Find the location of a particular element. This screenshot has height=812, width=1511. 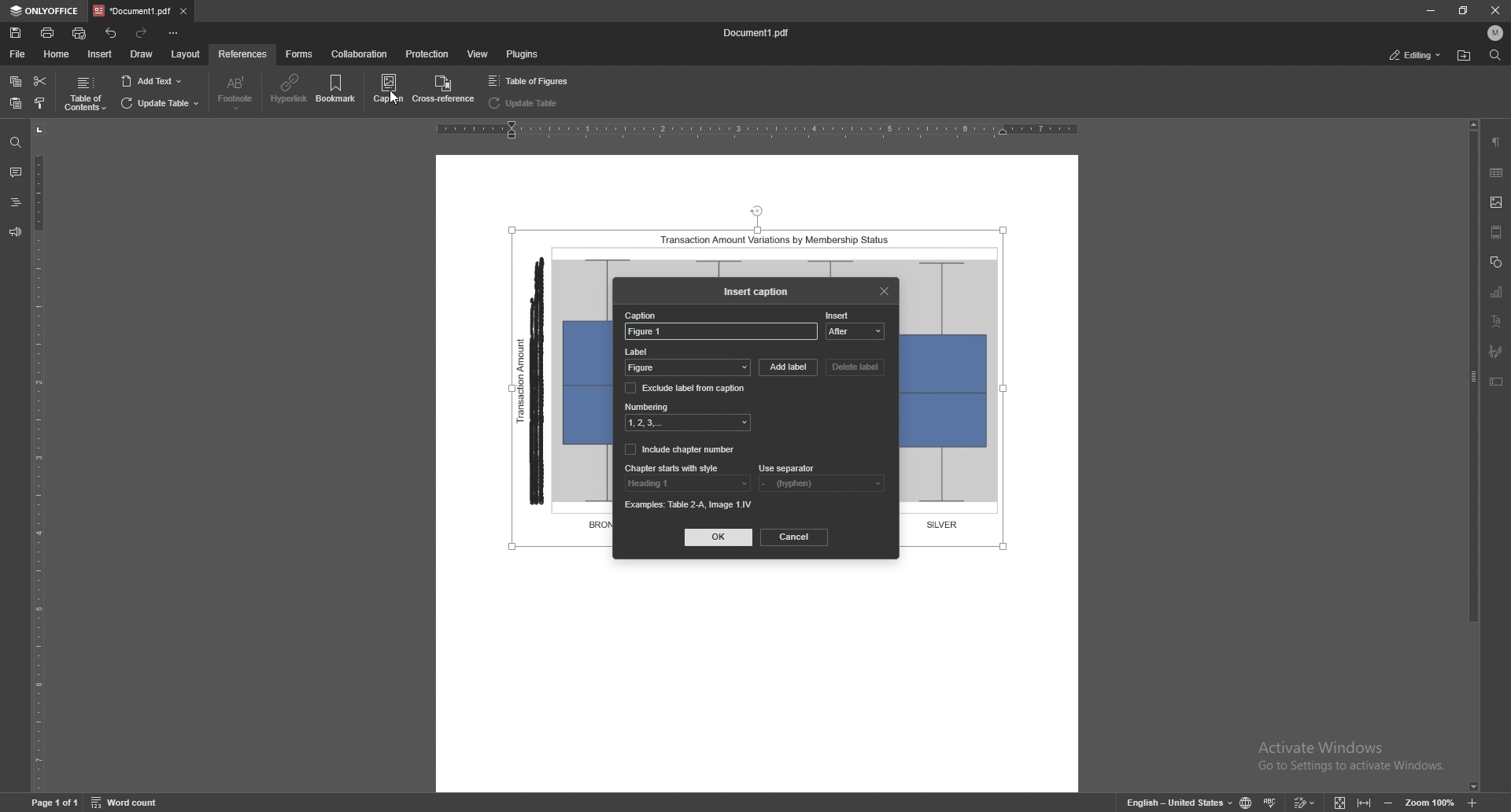

after is located at coordinates (857, 330).